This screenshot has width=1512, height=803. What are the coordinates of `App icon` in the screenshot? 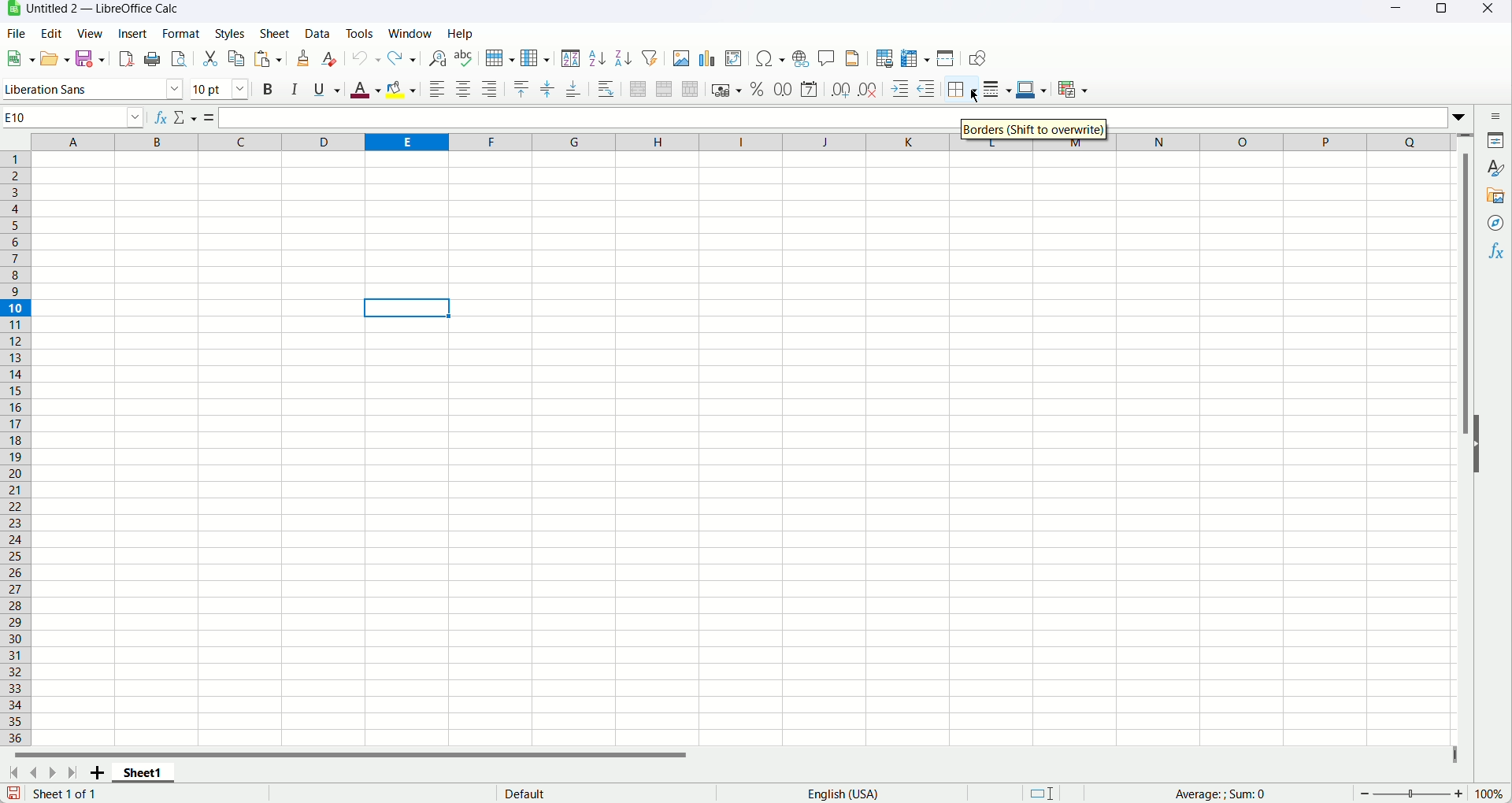 It's located at (11, 9).